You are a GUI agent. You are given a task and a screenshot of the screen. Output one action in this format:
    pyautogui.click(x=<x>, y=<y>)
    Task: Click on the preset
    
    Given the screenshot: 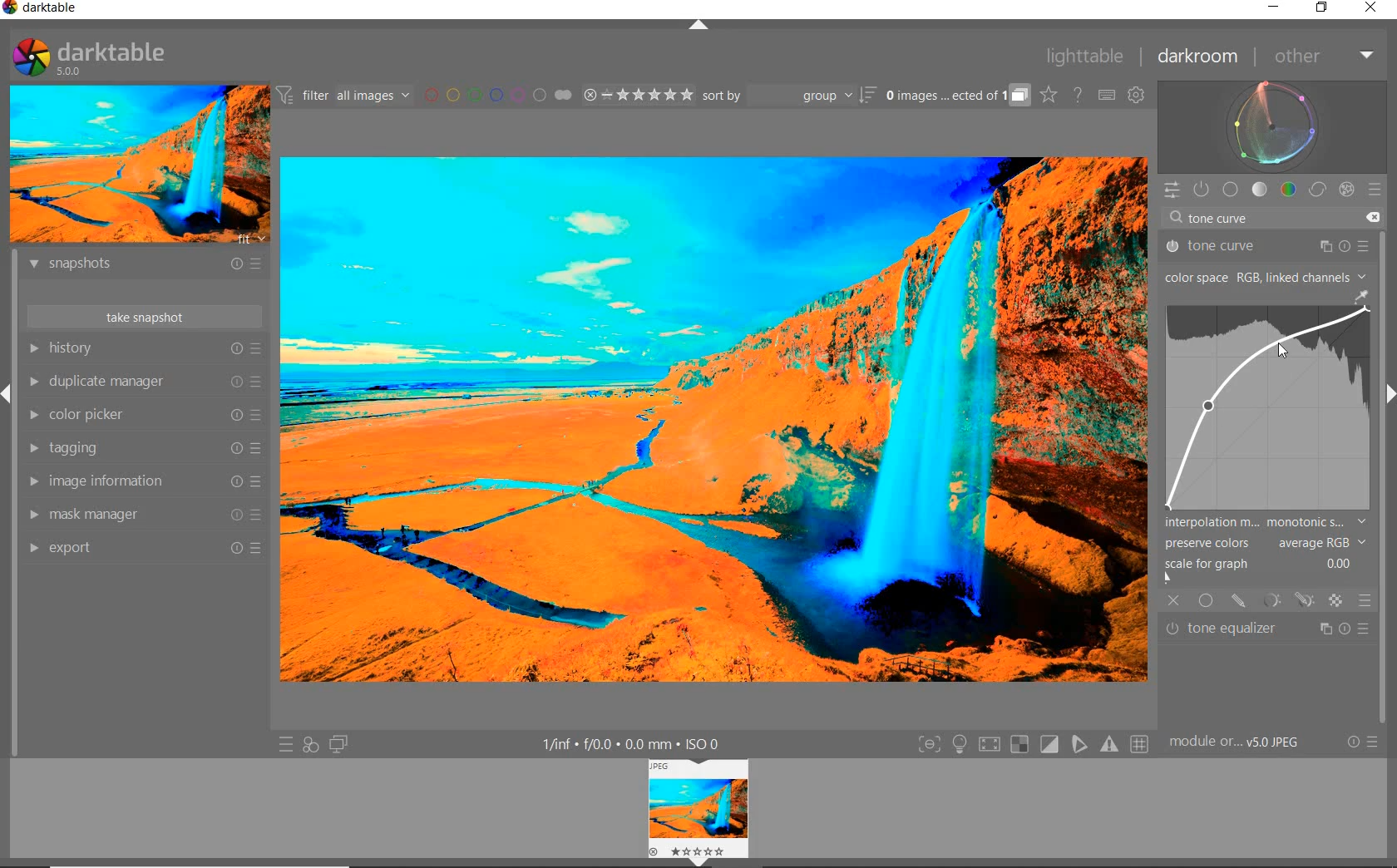 What is the action you would take?
    pyautogui.click(x=1376, y=187)
    